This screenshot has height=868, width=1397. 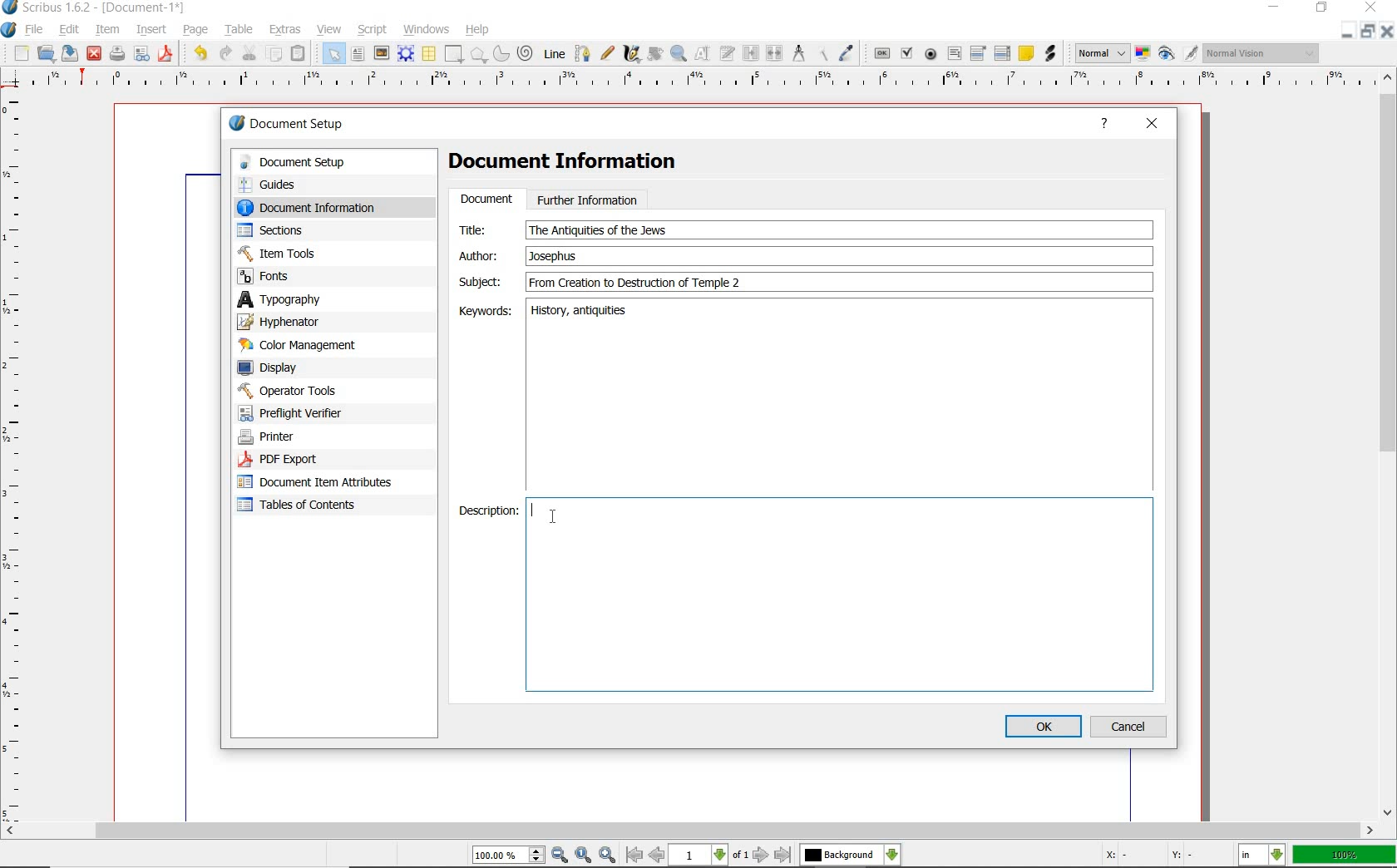 I want to click on close, so click(x=1389, y=31).